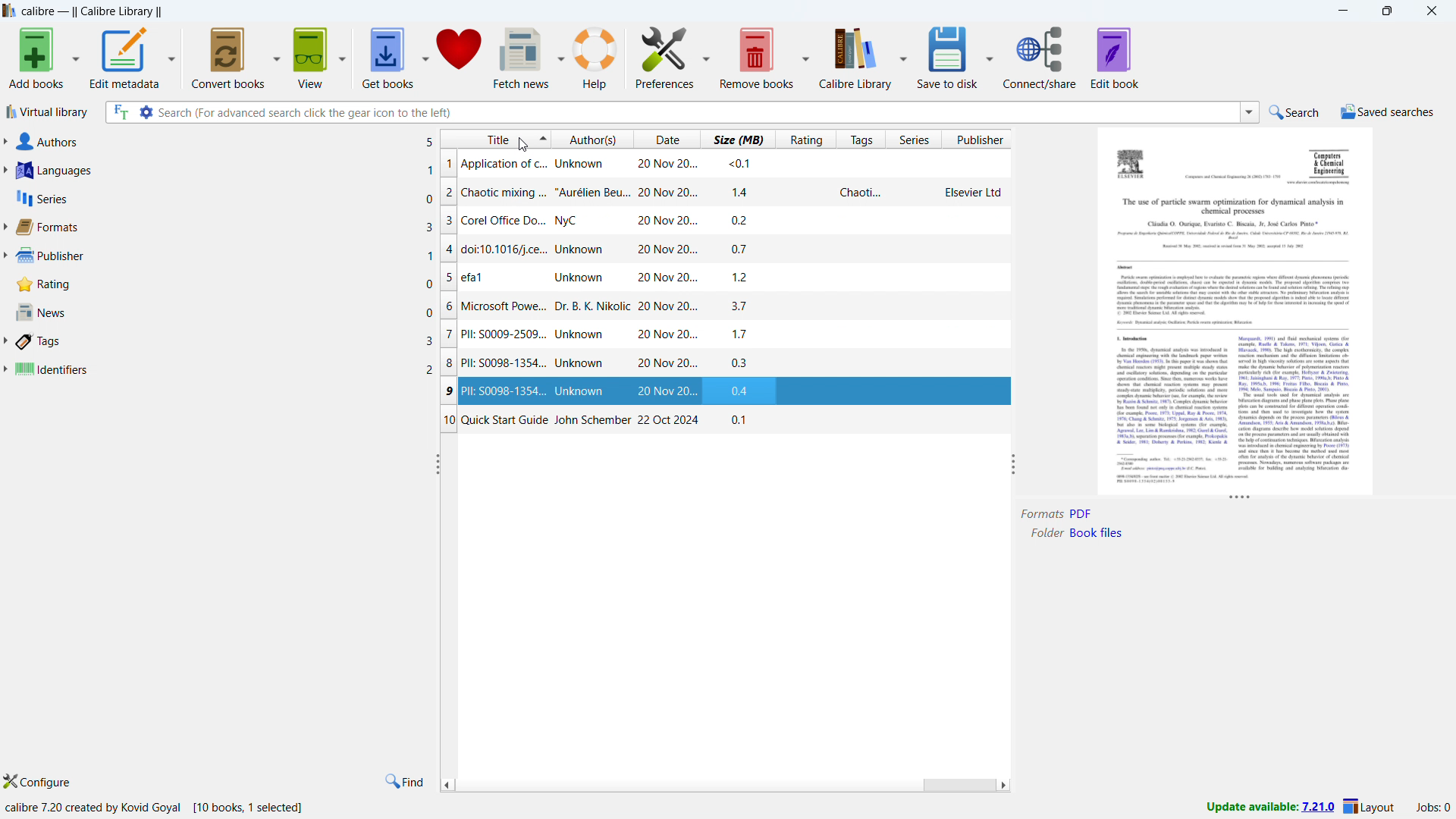  What do you see at coordinates (73, 60) in the screenshot?
I see `add books` at bounding box center [73, 60].